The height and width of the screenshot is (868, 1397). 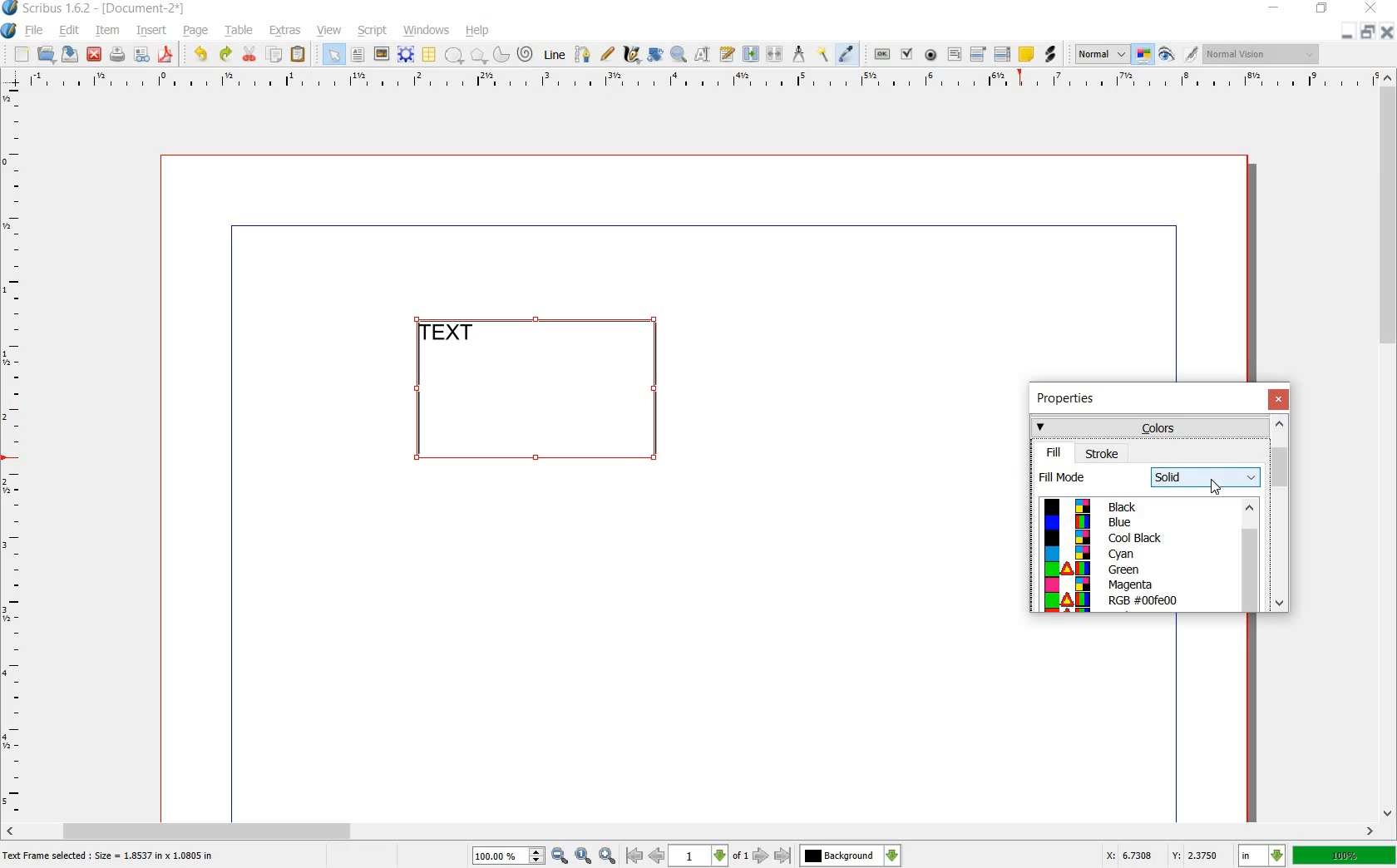 I want to click on Green, so click(x=1127, y=570).